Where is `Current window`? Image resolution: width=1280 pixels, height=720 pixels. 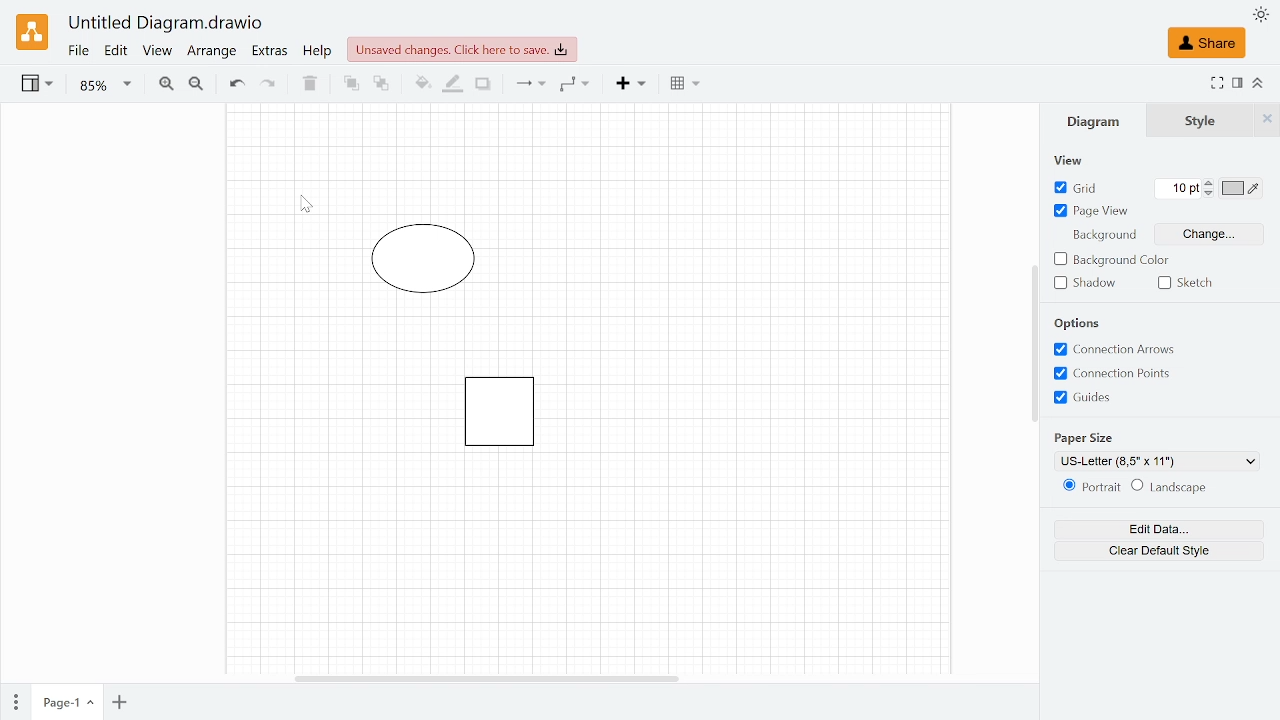
Current window is located at coordinates (167, 24).